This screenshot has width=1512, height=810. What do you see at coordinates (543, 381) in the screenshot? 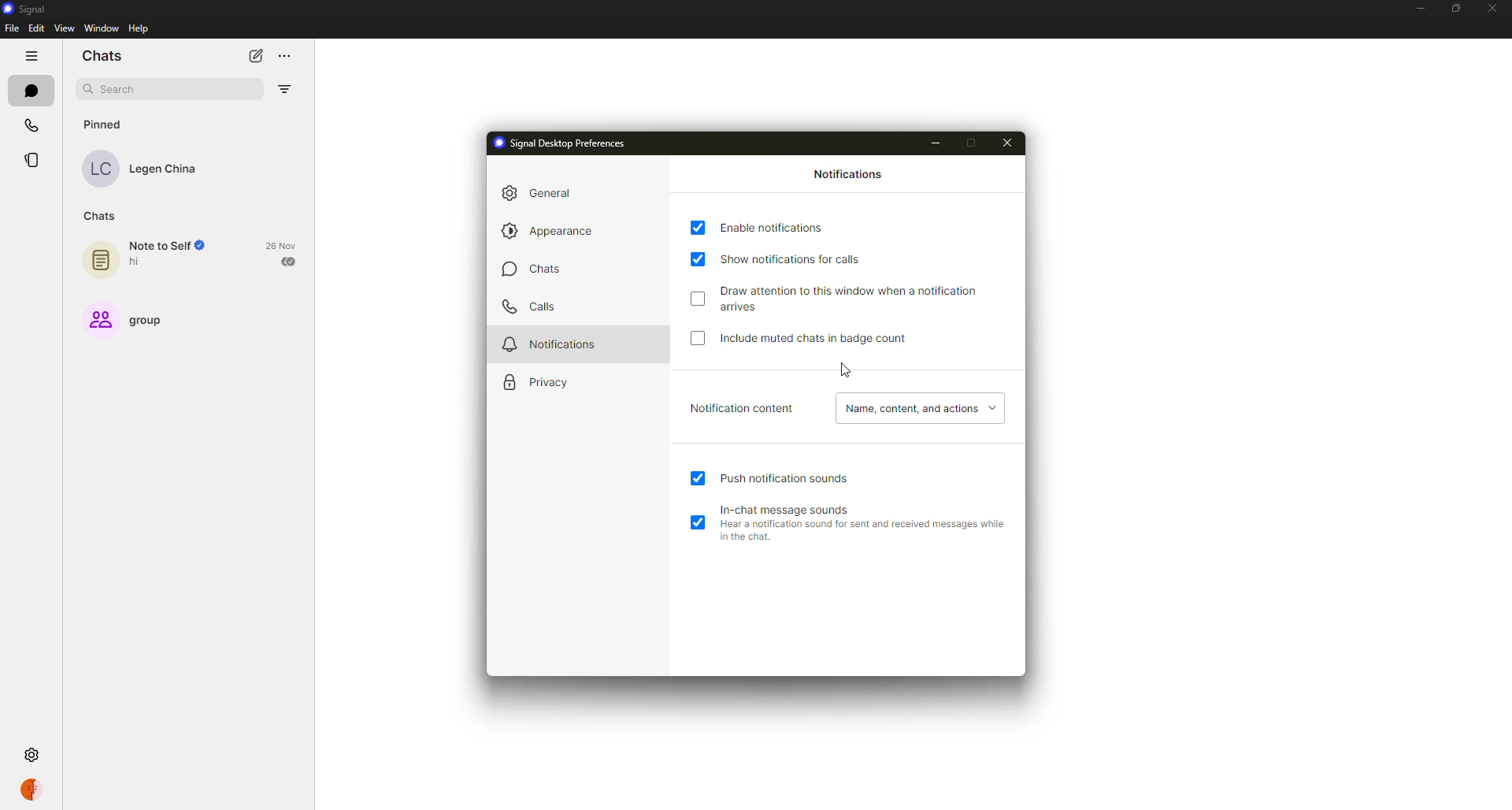
I see `privacy` at bounding box center [543, 381].